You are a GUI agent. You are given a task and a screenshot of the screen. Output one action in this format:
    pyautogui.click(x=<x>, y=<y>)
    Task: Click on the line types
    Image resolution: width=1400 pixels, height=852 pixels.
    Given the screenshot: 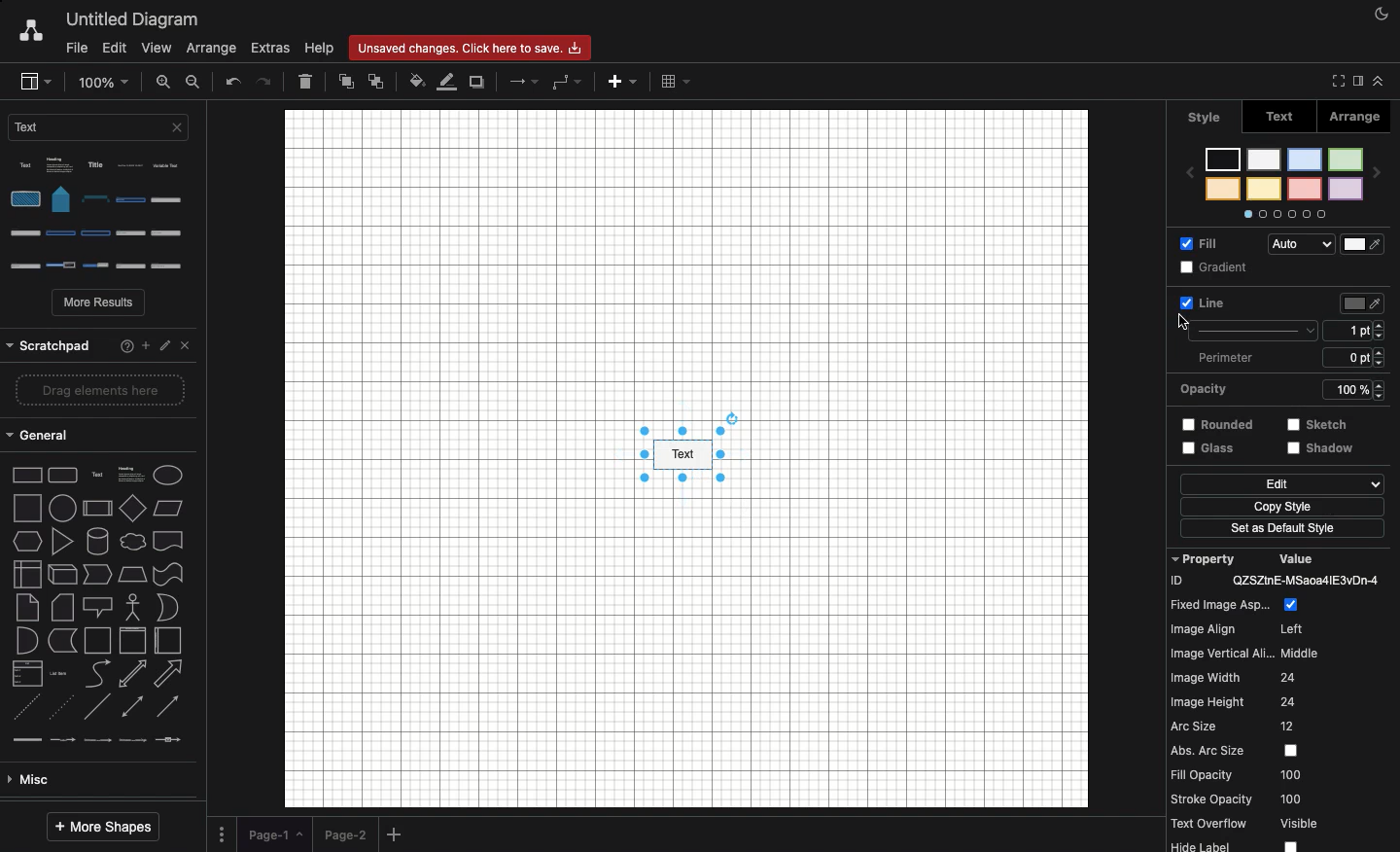 What is the action you would take?
    pyautogui.click(x=104, y=578)
    